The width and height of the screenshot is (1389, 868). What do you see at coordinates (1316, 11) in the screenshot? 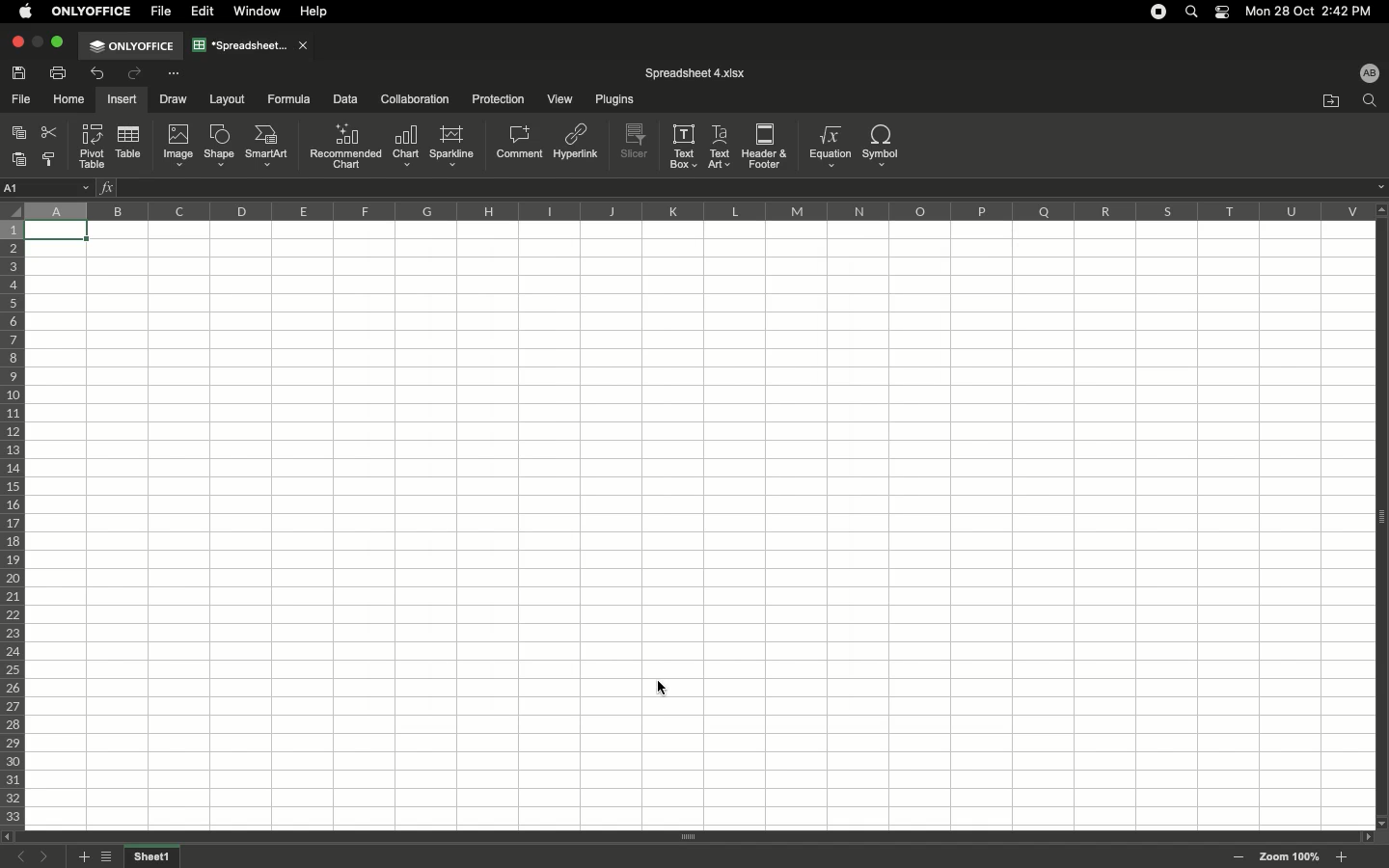
I see `Date/time` at bounding box center [1316, 11].